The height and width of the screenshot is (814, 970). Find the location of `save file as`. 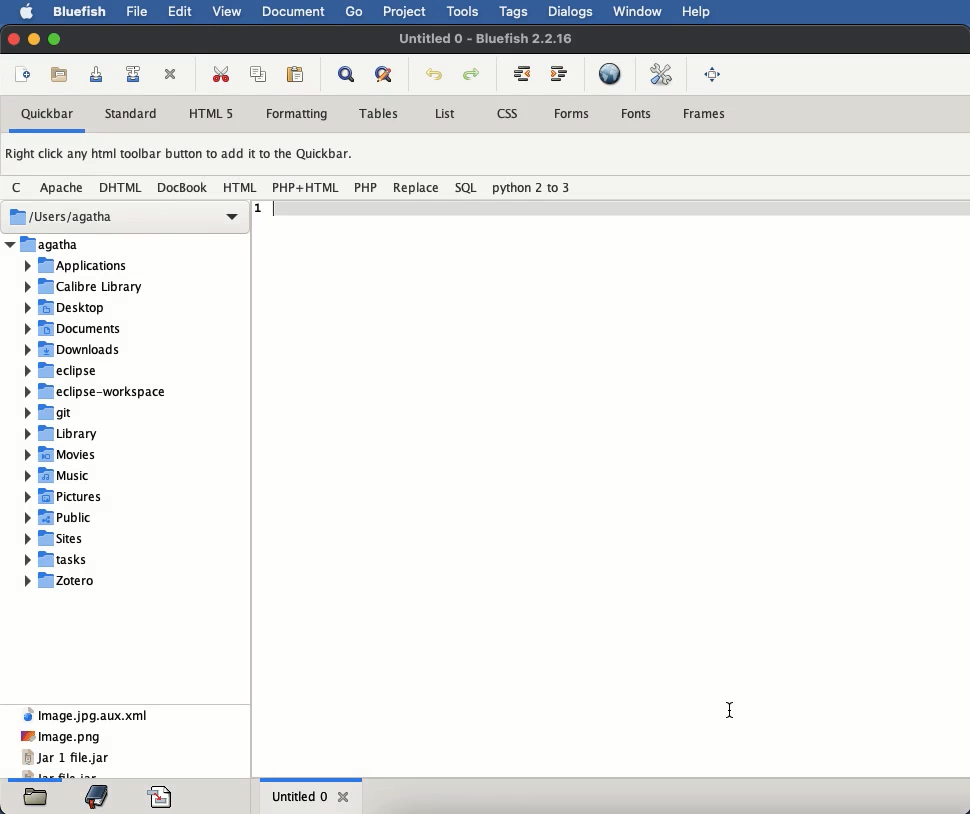

save file as is located at coordinates (137, 72).